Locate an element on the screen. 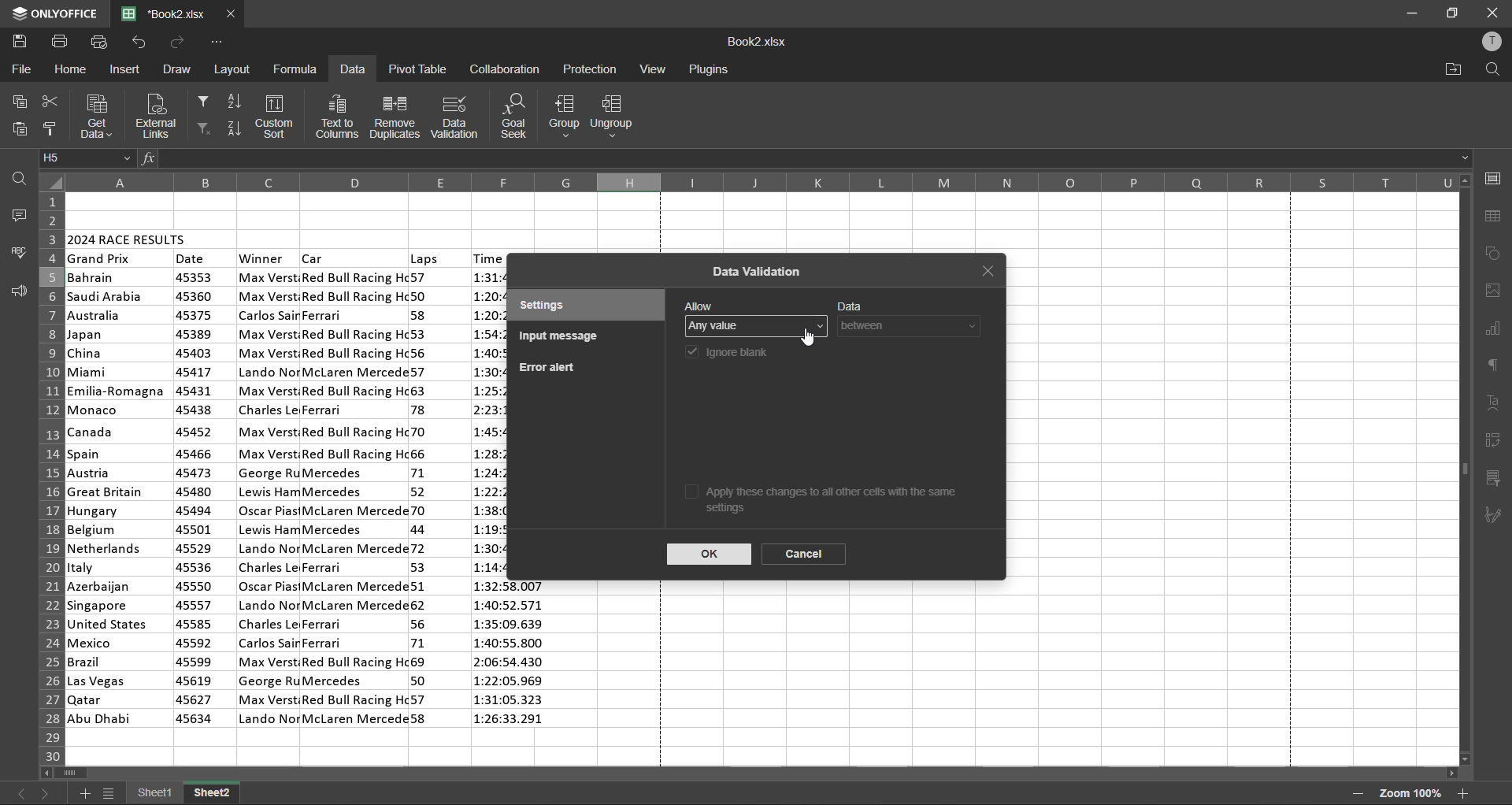 The image size is (1512, 805). close tab is located at coordinates (992, 273).